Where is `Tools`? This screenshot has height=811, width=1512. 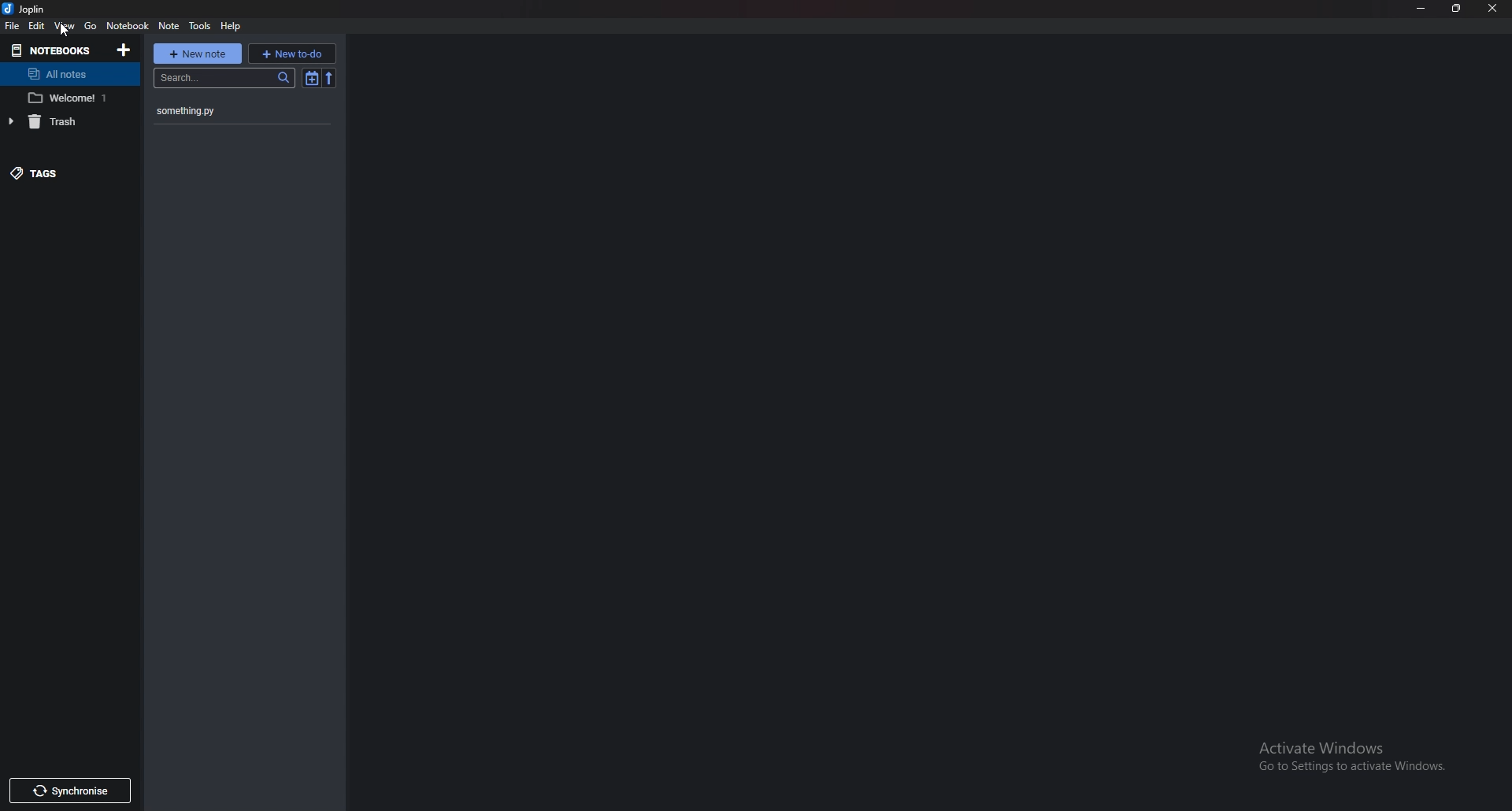
Tools is located at coordinates (201, 26).